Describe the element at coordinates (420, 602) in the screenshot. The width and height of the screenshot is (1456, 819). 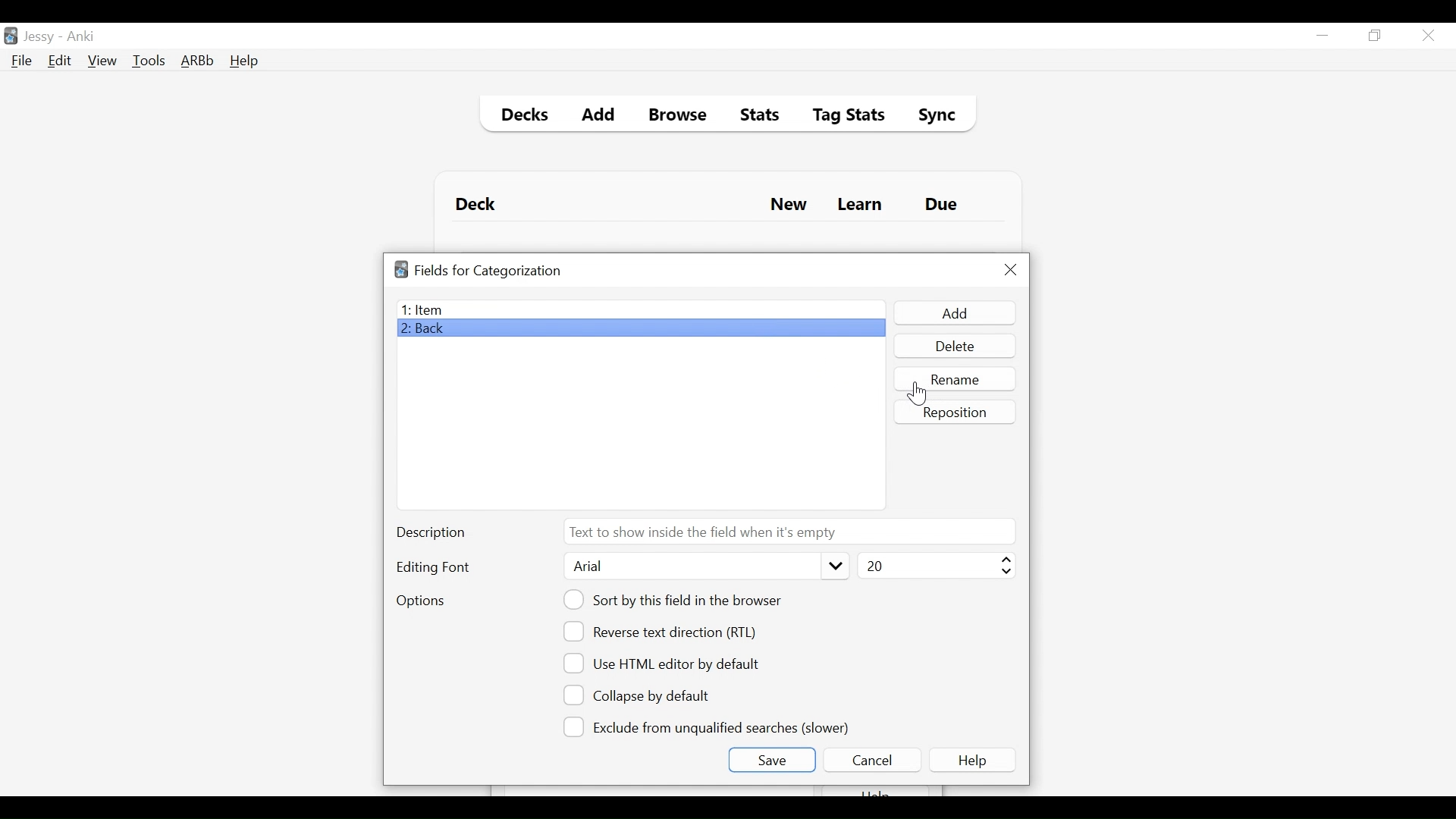
I see `Options` at that location.